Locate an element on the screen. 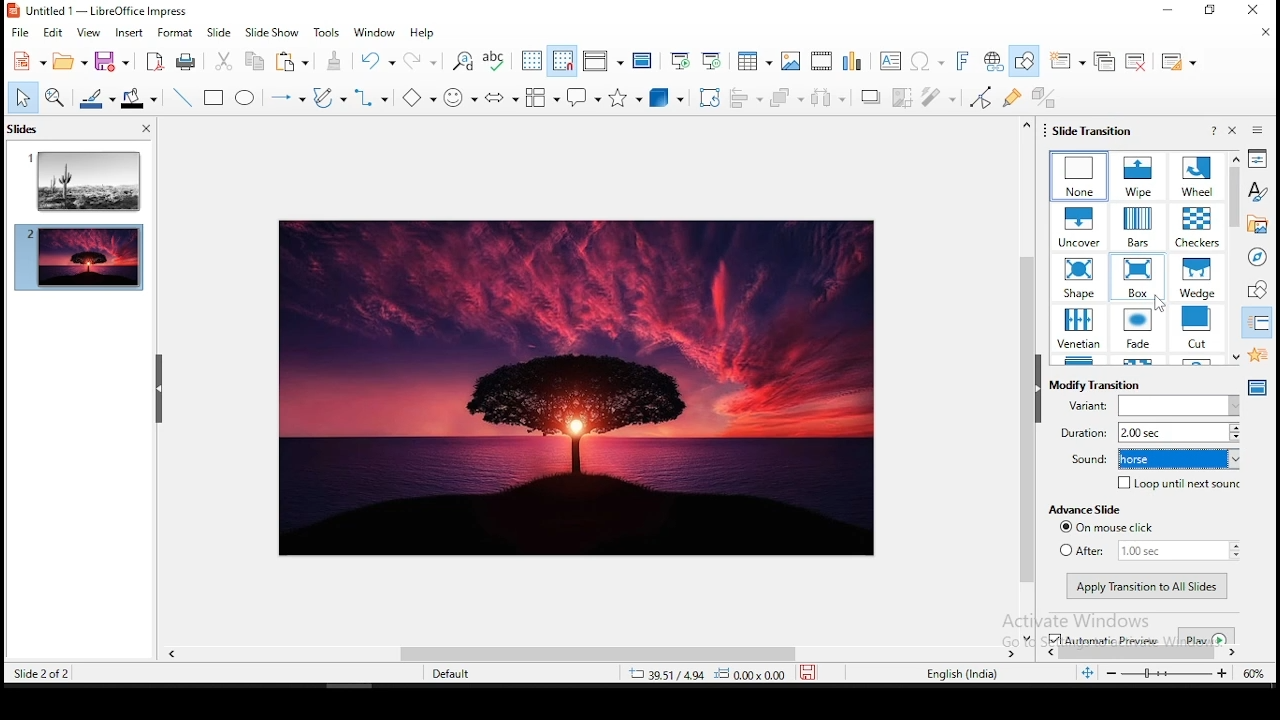 The image size is (1280, 720). images is located at coordinates (788, 58).